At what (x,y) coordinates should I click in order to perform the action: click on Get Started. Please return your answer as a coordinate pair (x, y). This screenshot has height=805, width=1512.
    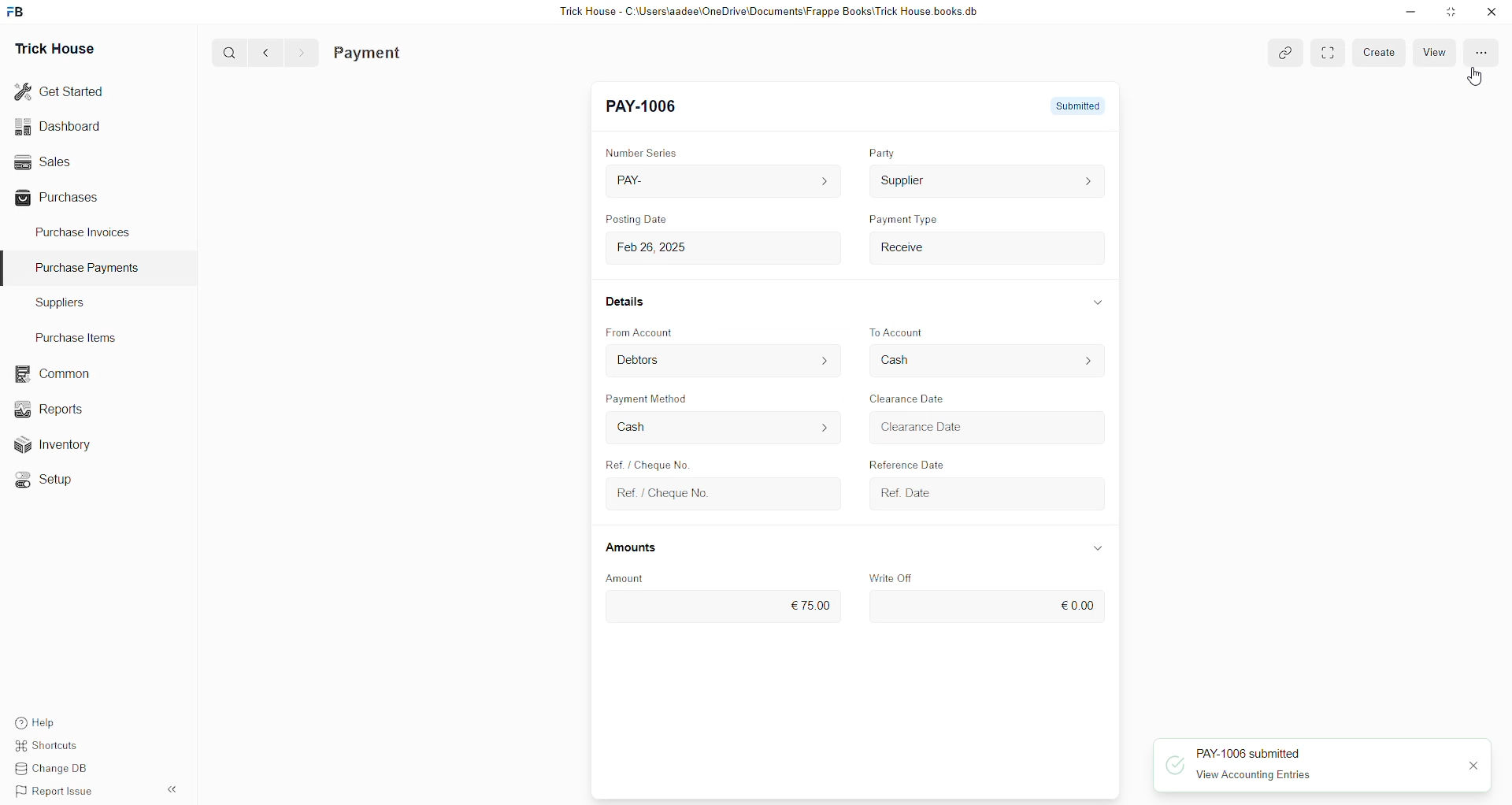
    Looking at the image, I should click on (62, 90).